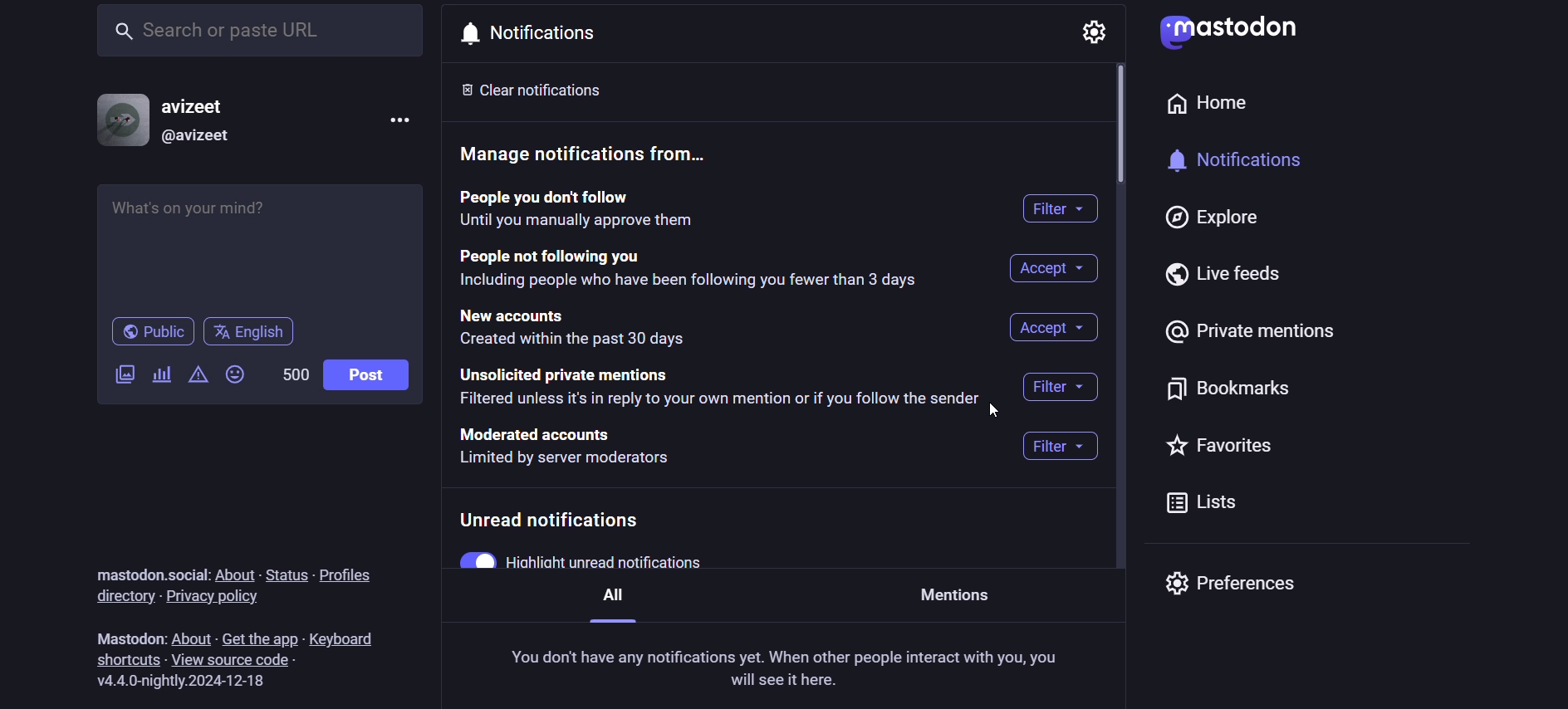  What do you see at coordinates (198, 374) in the screenshot?
I see `content warning` at bounding box center [198, 374].